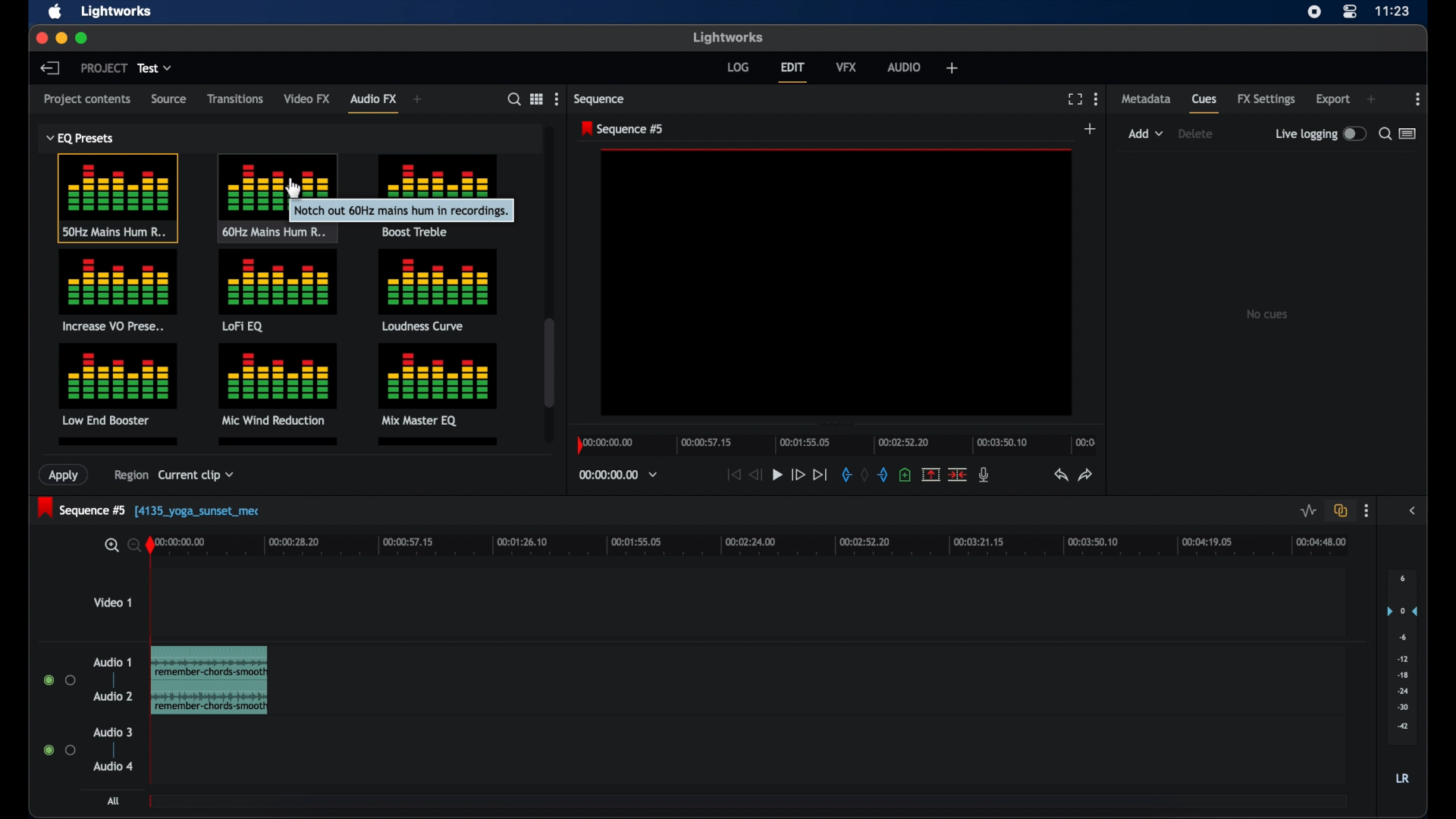 The width and height of the screenshot is (1456, 819). Describe the element at coordinates (618, 475) in the screenshot. I see `timecodes and reels` at that location.